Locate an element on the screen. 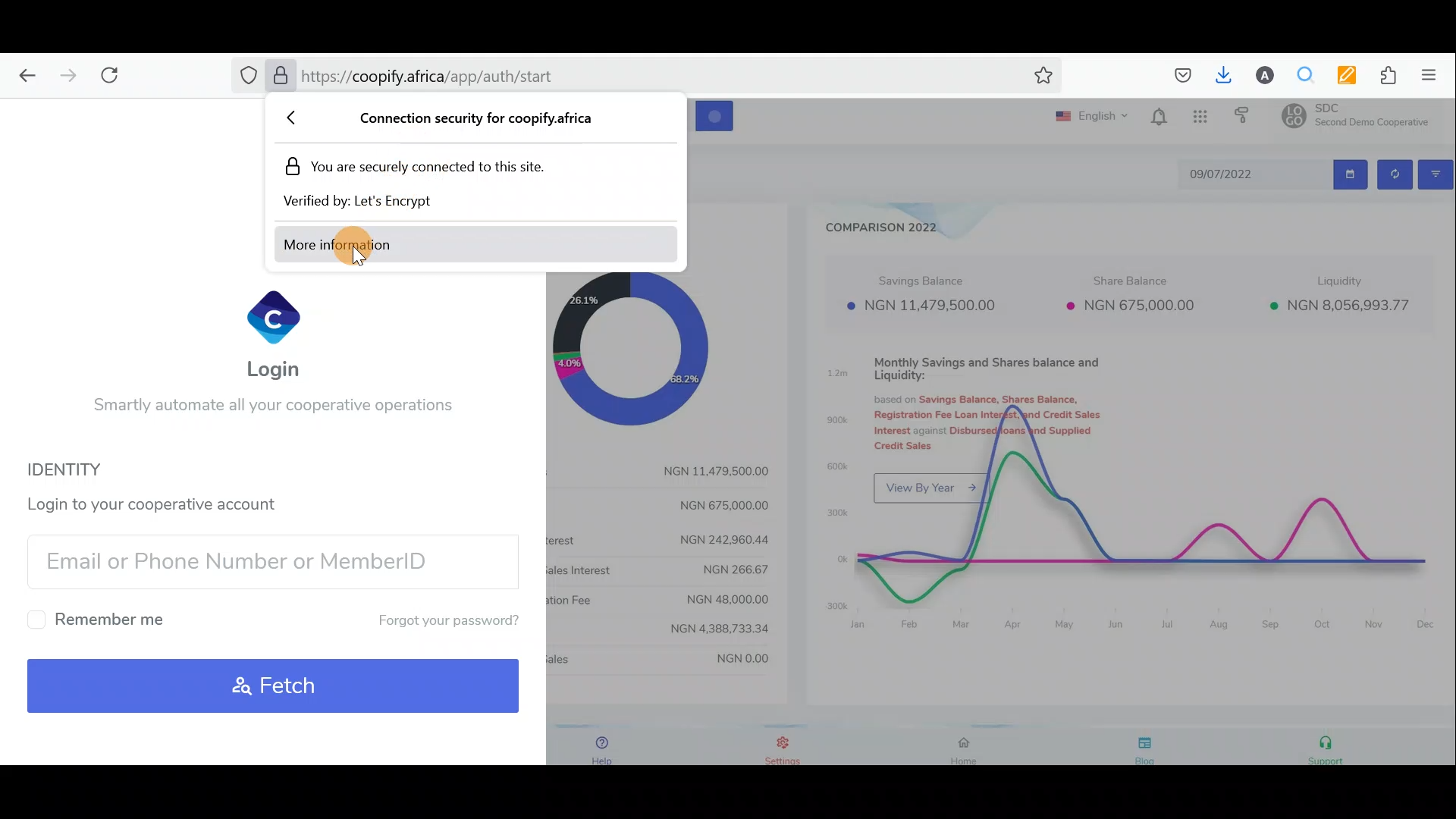 The height and width of the screenshot is (819, 1456). Reload current page is located at coordinates (116, 75).